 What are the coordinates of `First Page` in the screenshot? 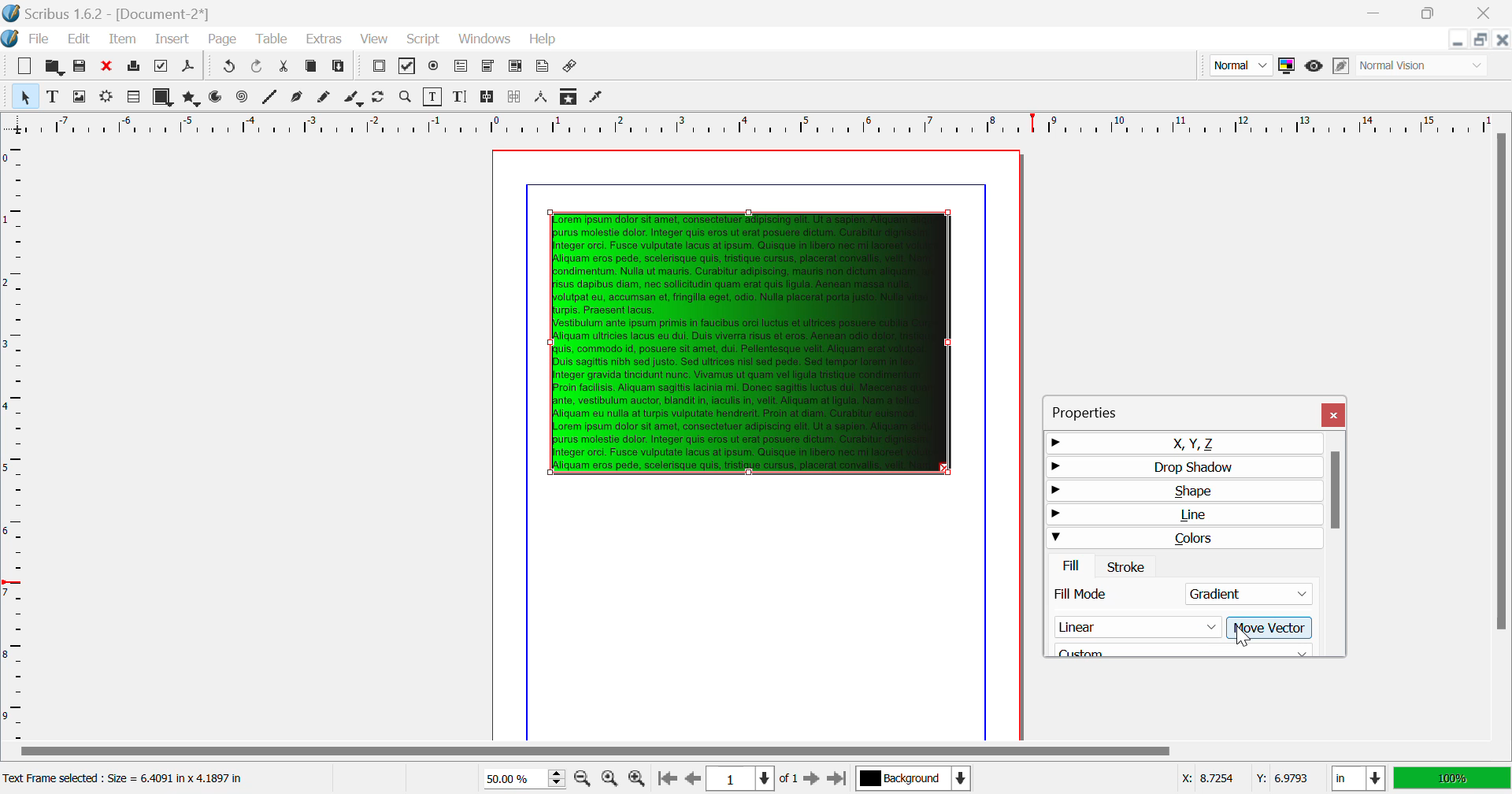 It's located at (665, 780).